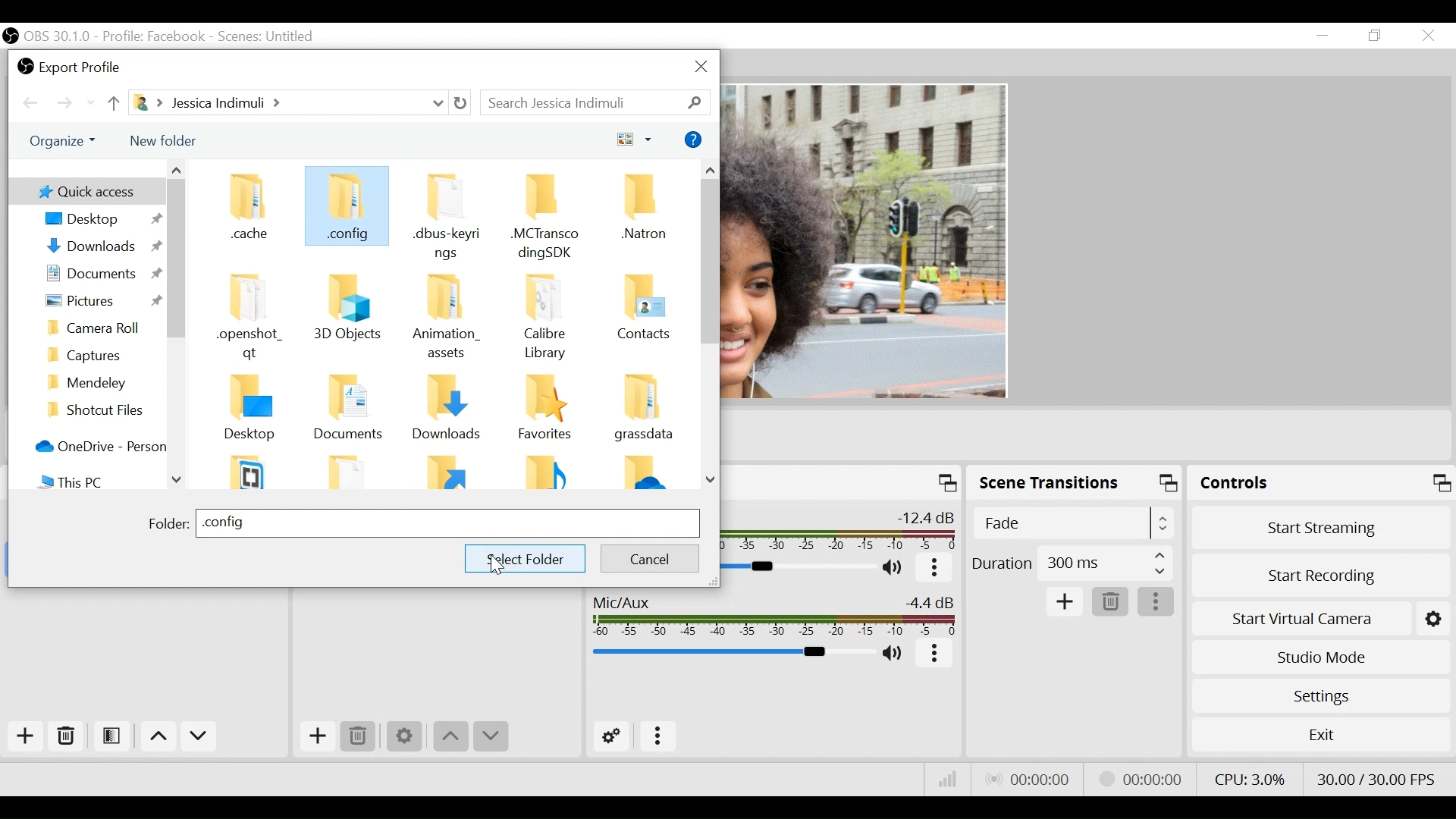 The image size is (1456, 819). What do you see at coordinates (256, 470) in the screenshot?
I see `Folder` at bounding box center [256, 470].